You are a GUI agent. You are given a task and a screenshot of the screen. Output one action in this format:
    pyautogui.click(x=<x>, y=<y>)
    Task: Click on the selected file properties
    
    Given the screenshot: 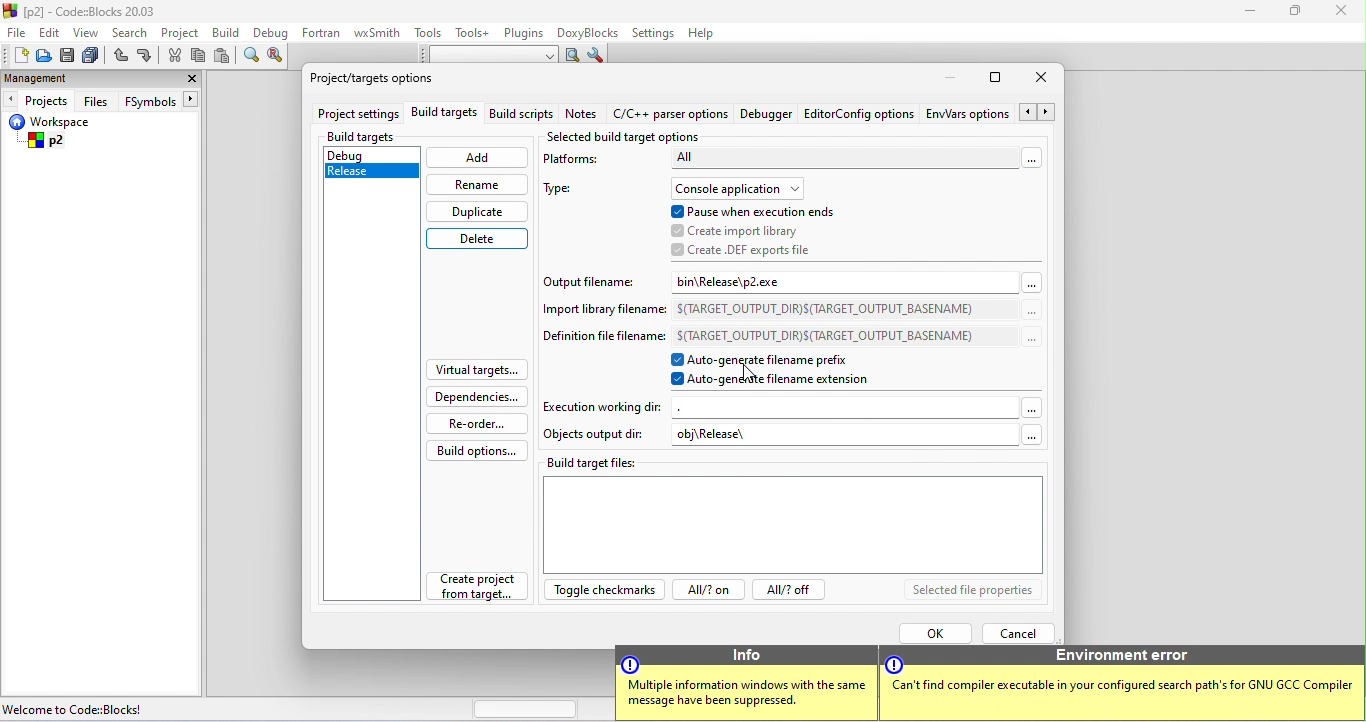 What is the action you would take?
    pyautogui.click(x=971, y=591)
    